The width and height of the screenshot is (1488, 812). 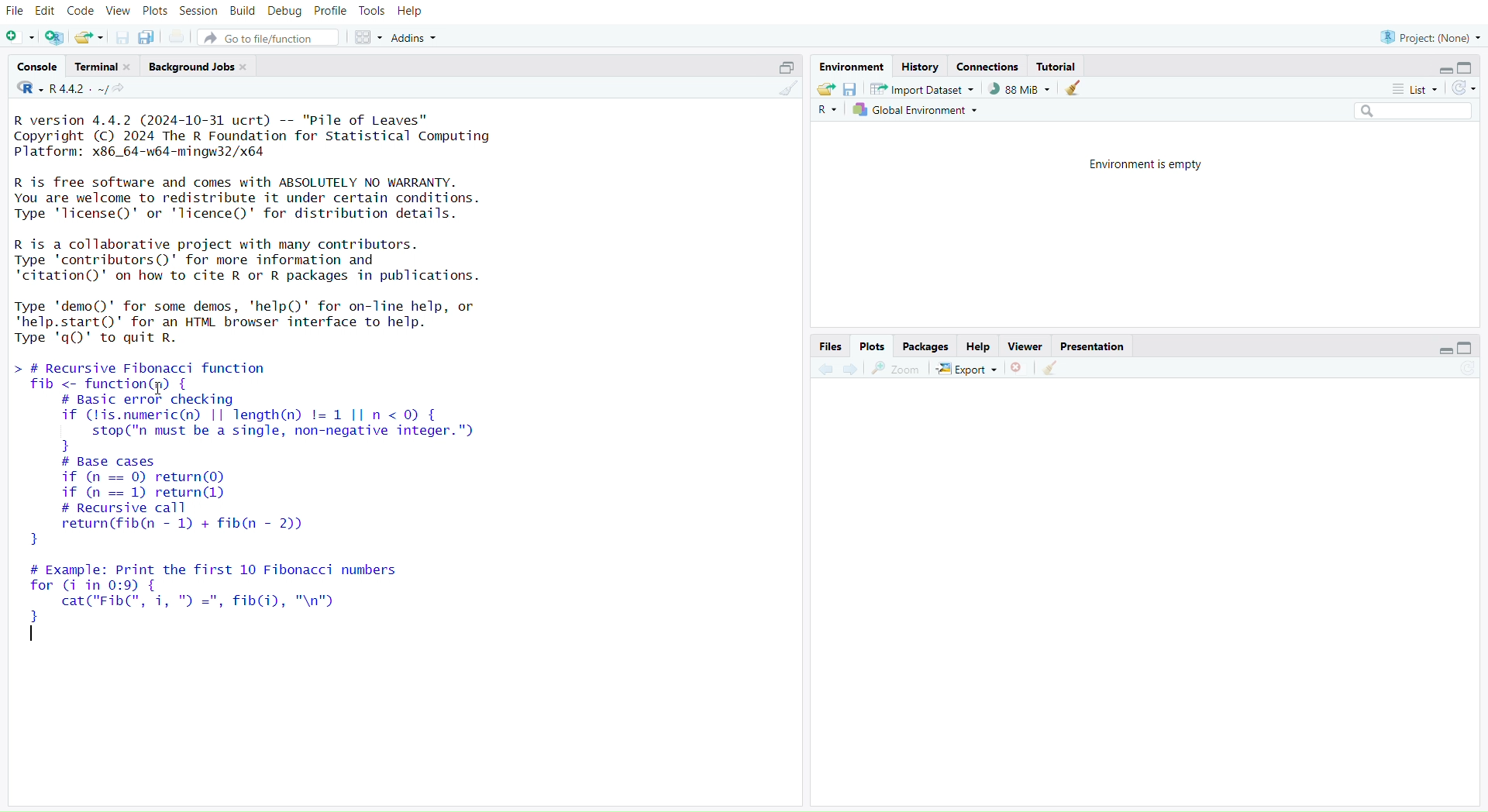 What do you see at coordinates (15, 12) in the screenshot?
I see `file` at bounding box center [15, 12].